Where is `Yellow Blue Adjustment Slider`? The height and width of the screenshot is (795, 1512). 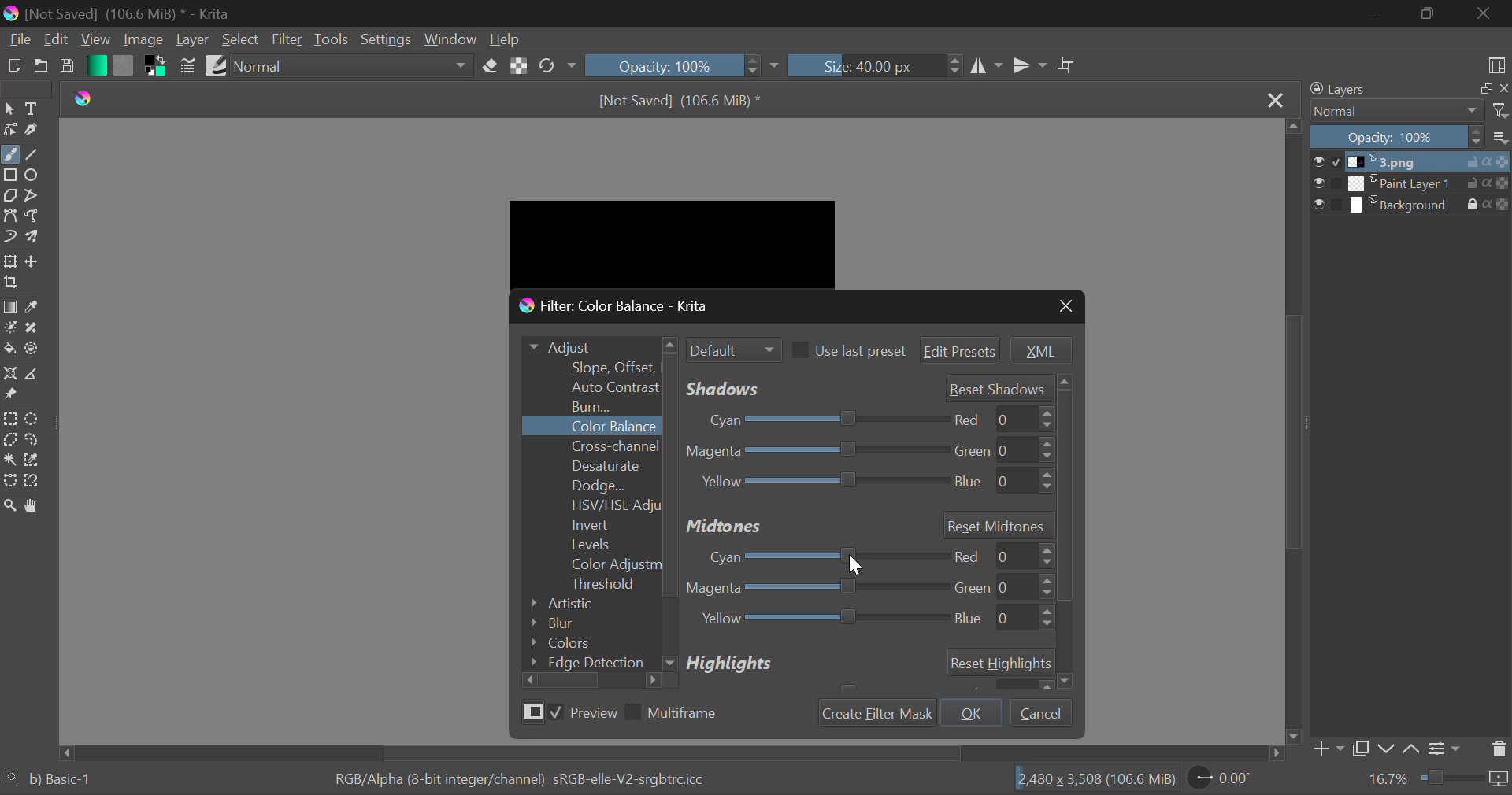
Yellow Blue Adjustment Slider is located at coordinates (821, 621).